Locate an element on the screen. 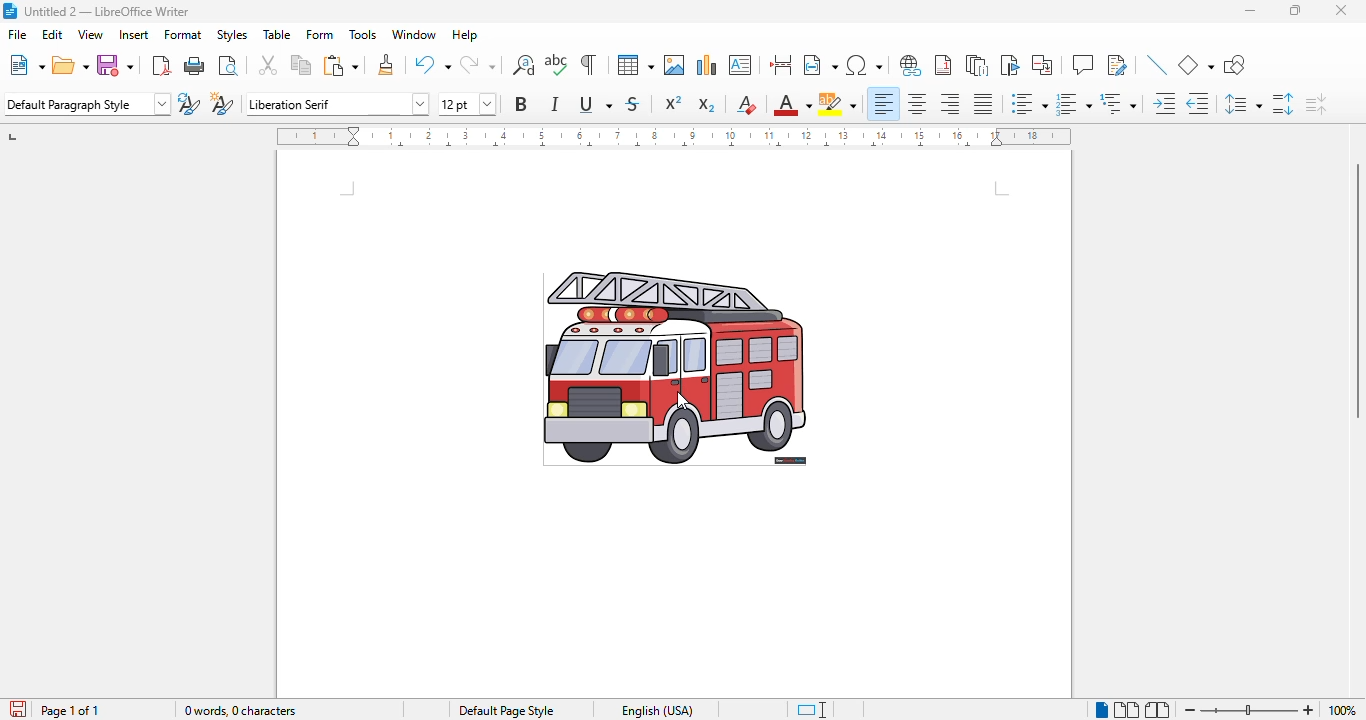 Image resolution: width=1366 pixels, height=720 pixels. logo is located at coordinates (10, 11).